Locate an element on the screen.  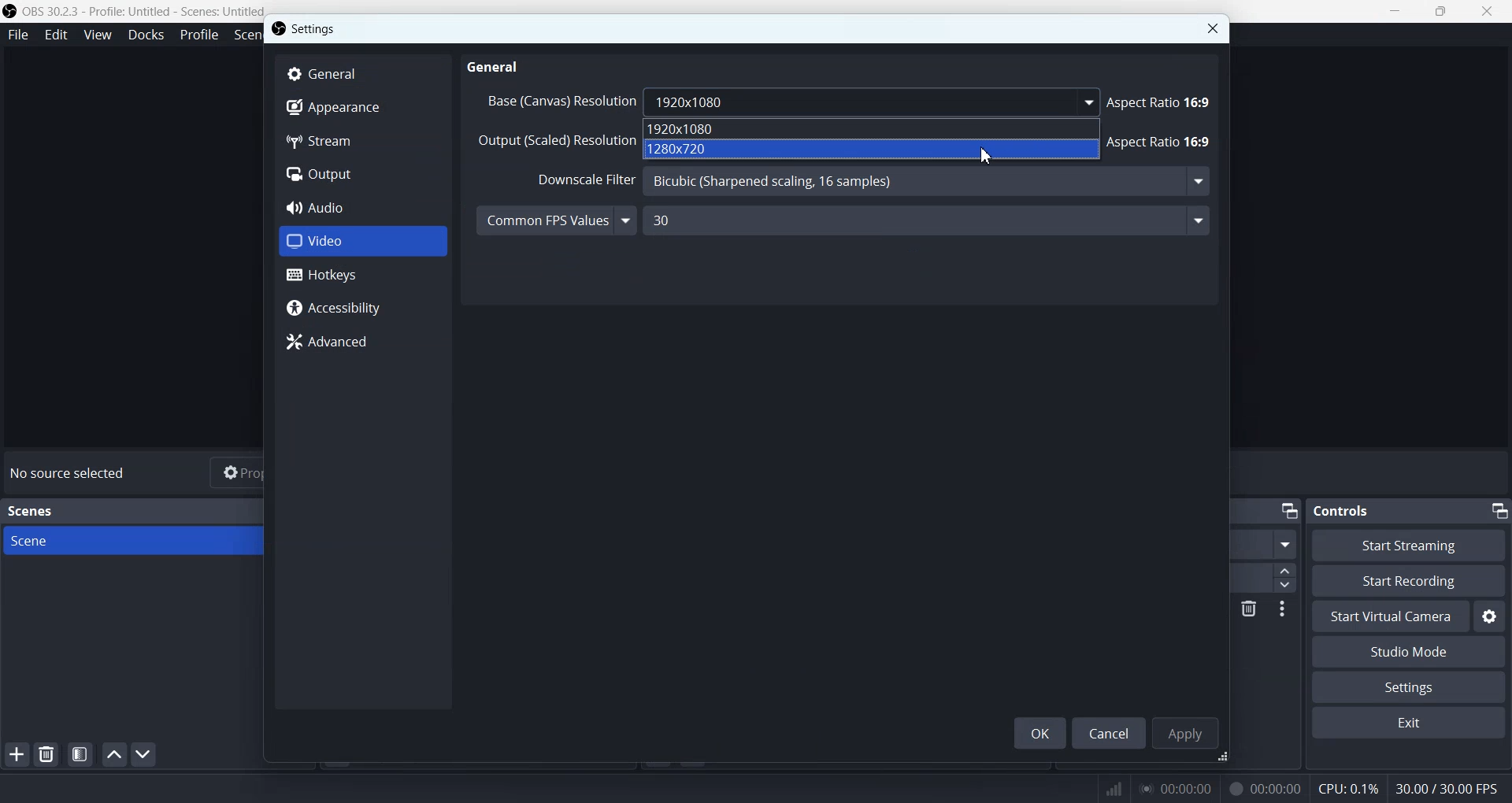
General is located at coordinates (364, 72).